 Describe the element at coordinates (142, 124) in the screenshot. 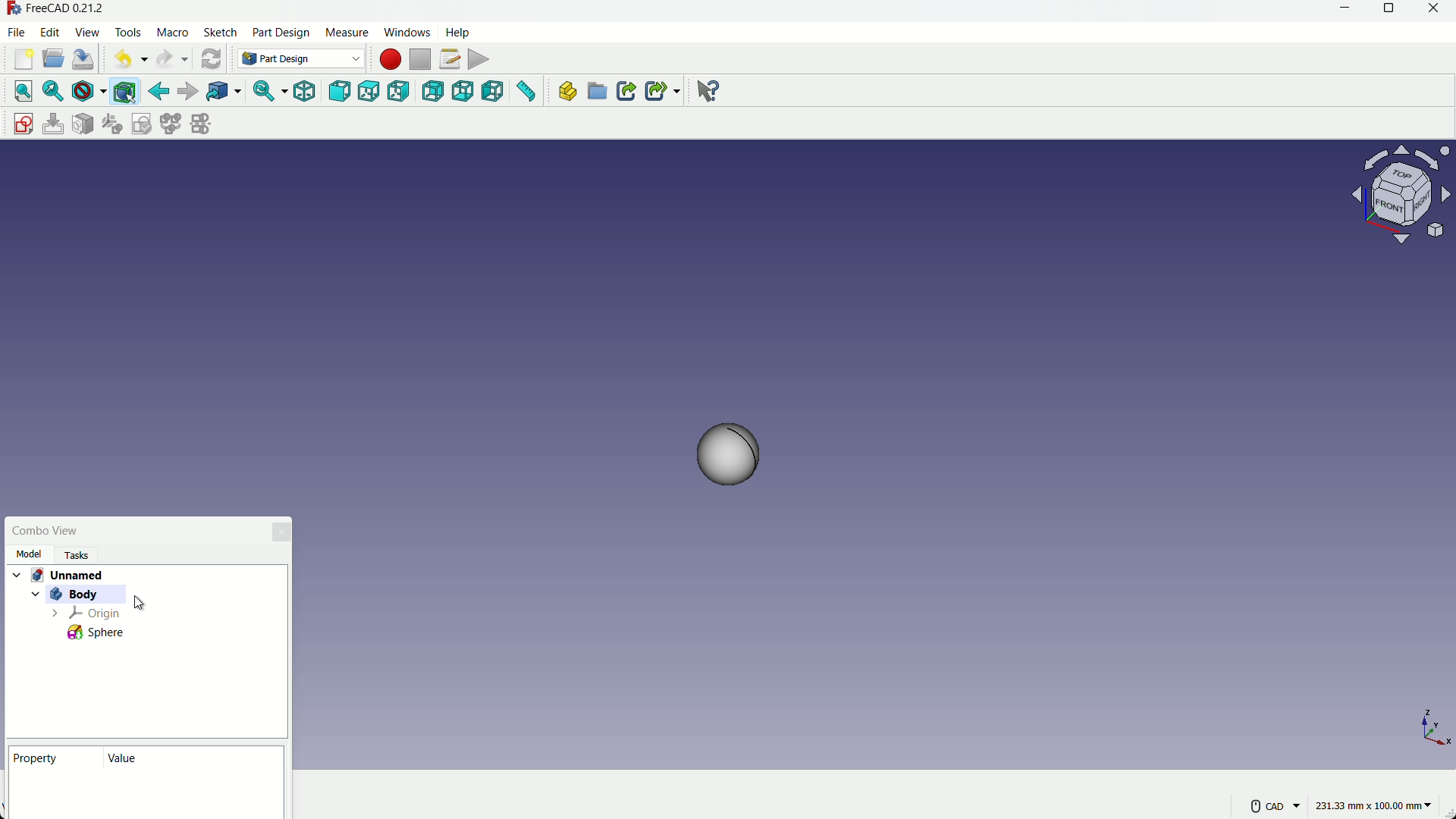

I see `validate sketch` at that location.